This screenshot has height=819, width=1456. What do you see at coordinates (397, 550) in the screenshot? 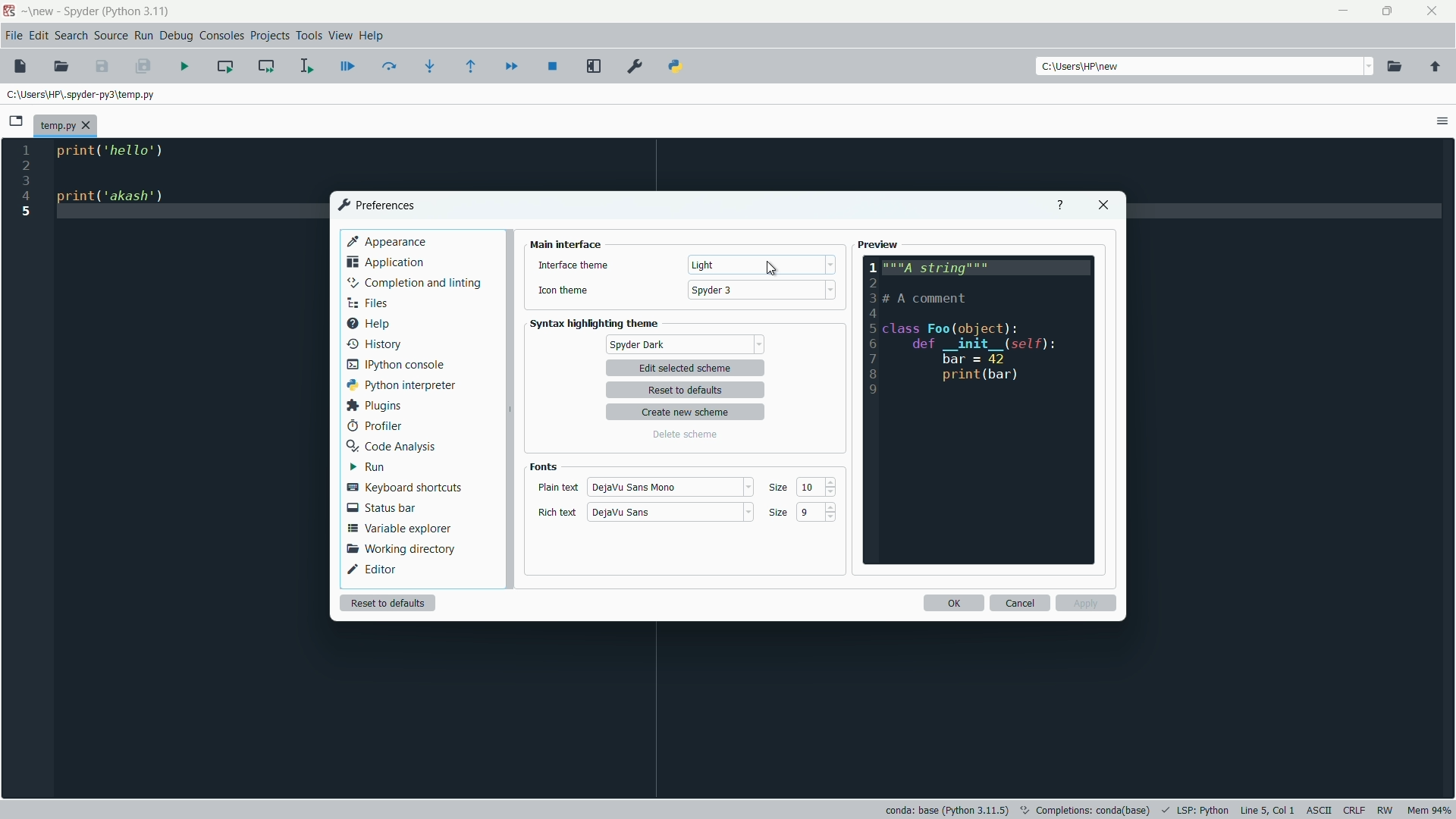
I see `working directory` at bounding box center [397, 550].